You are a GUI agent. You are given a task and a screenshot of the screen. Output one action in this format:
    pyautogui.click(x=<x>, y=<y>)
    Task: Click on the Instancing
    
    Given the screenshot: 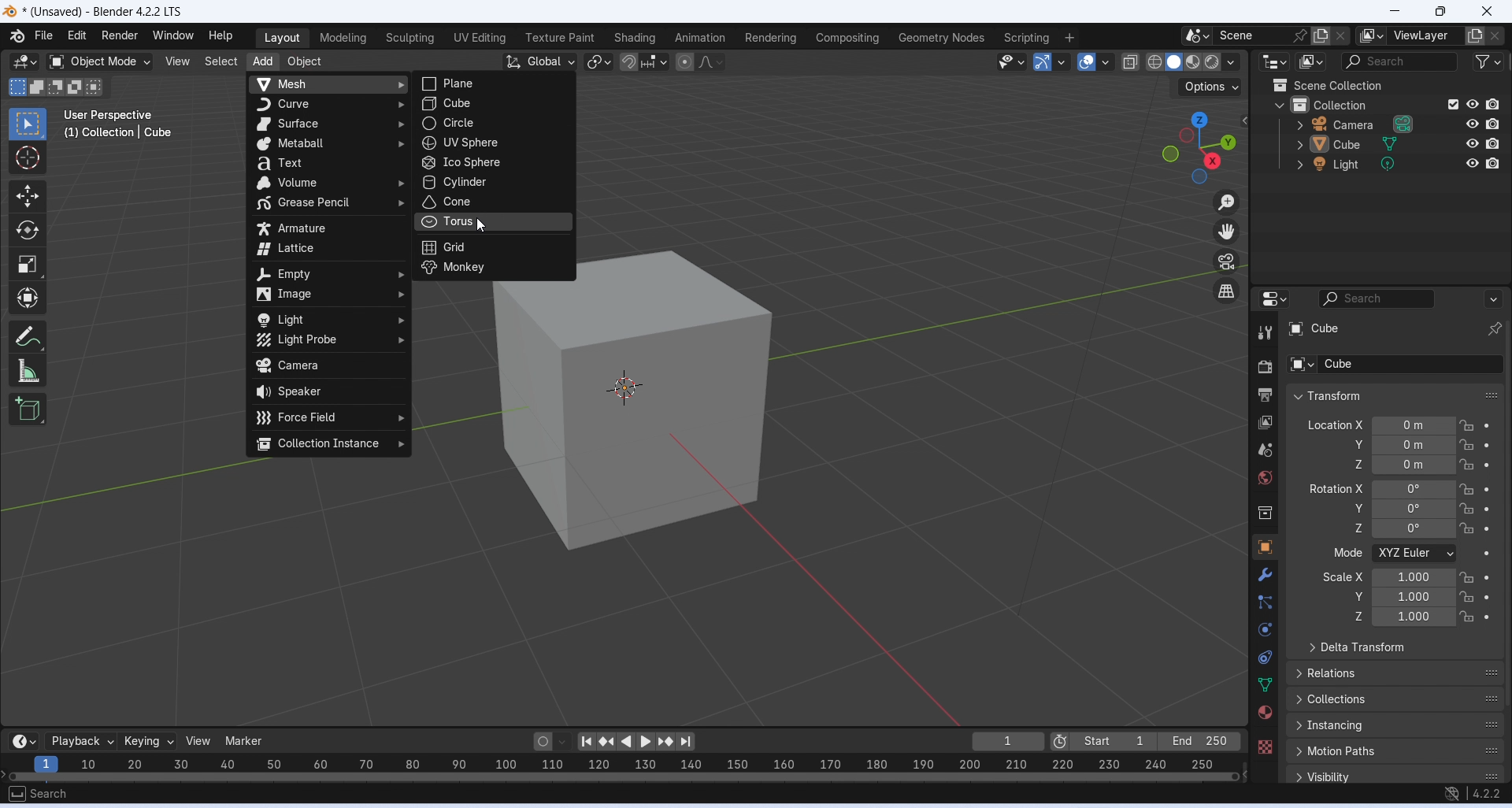 What is the action you would take?
    pyautogui.click(x=1396, y=726)
    